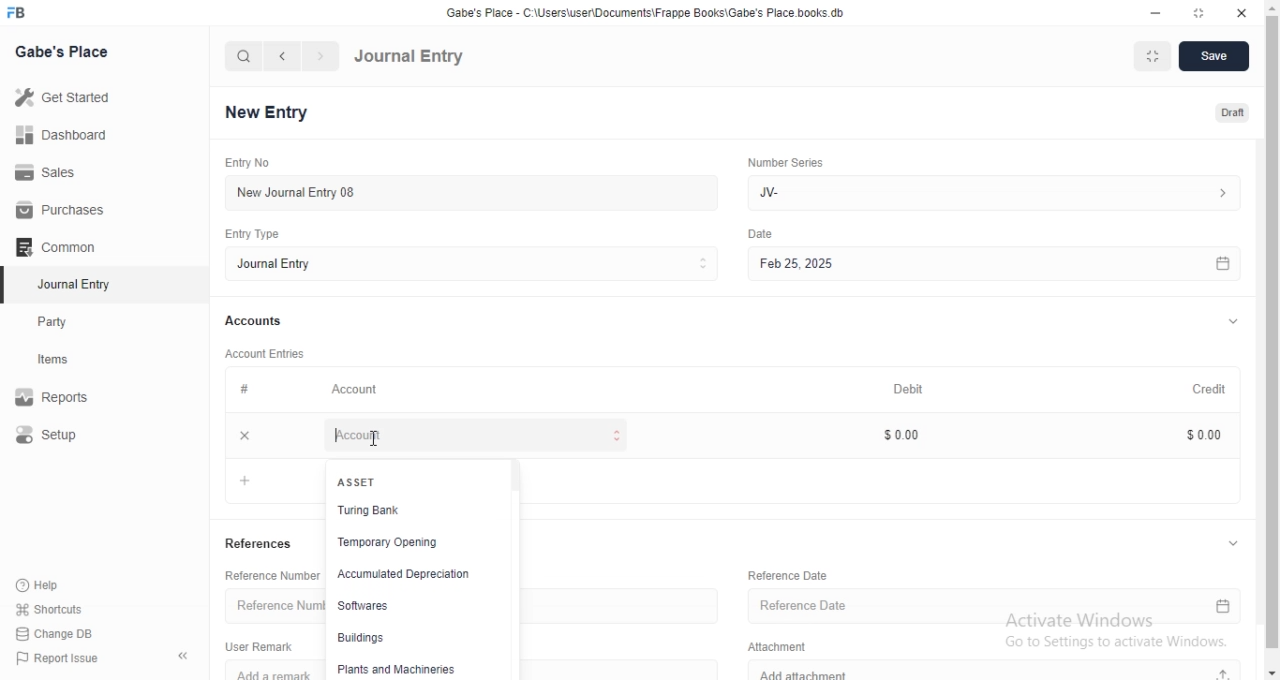 Image resolution: width=1280 pixels, height=680 pixels. What do you see at coordinates (519, 568) in the screenshot?
I see `vertical scroll bar` at bounding box center [519, 568].